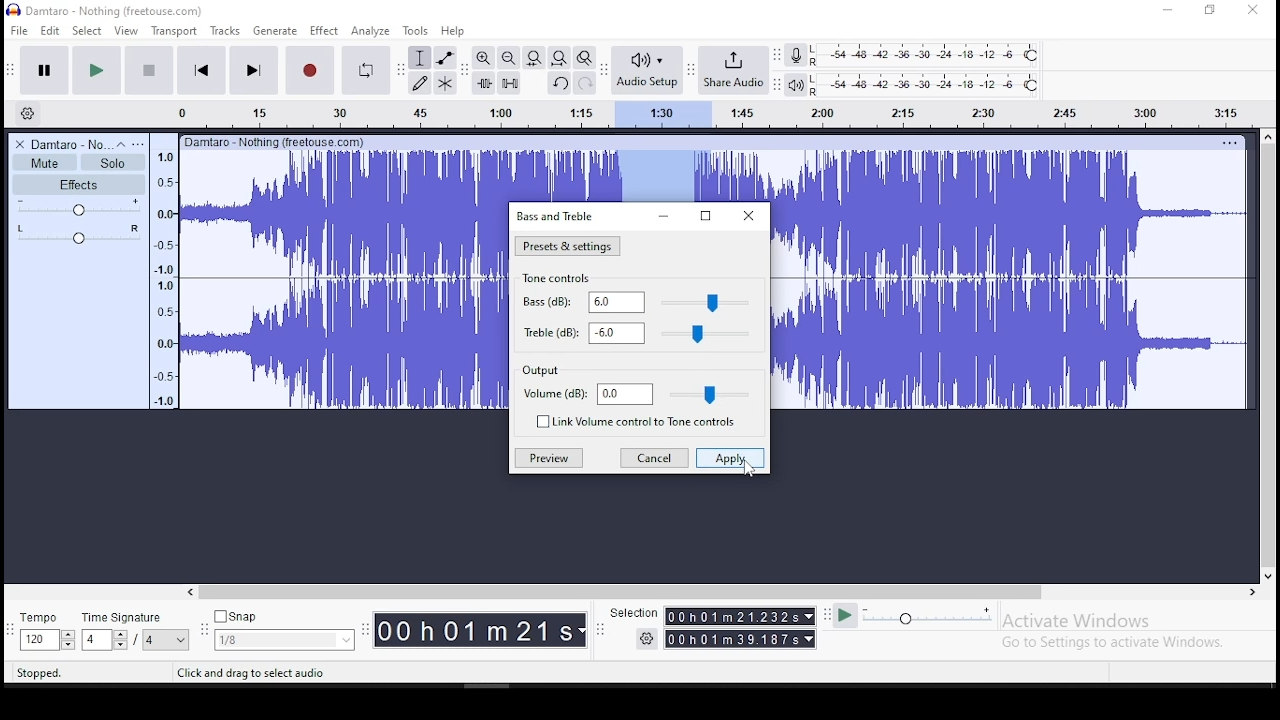 This screenshot has height=720, width=1280. Describe the element at coordinates (203, 629) in the screenshot. I see `` at that location.